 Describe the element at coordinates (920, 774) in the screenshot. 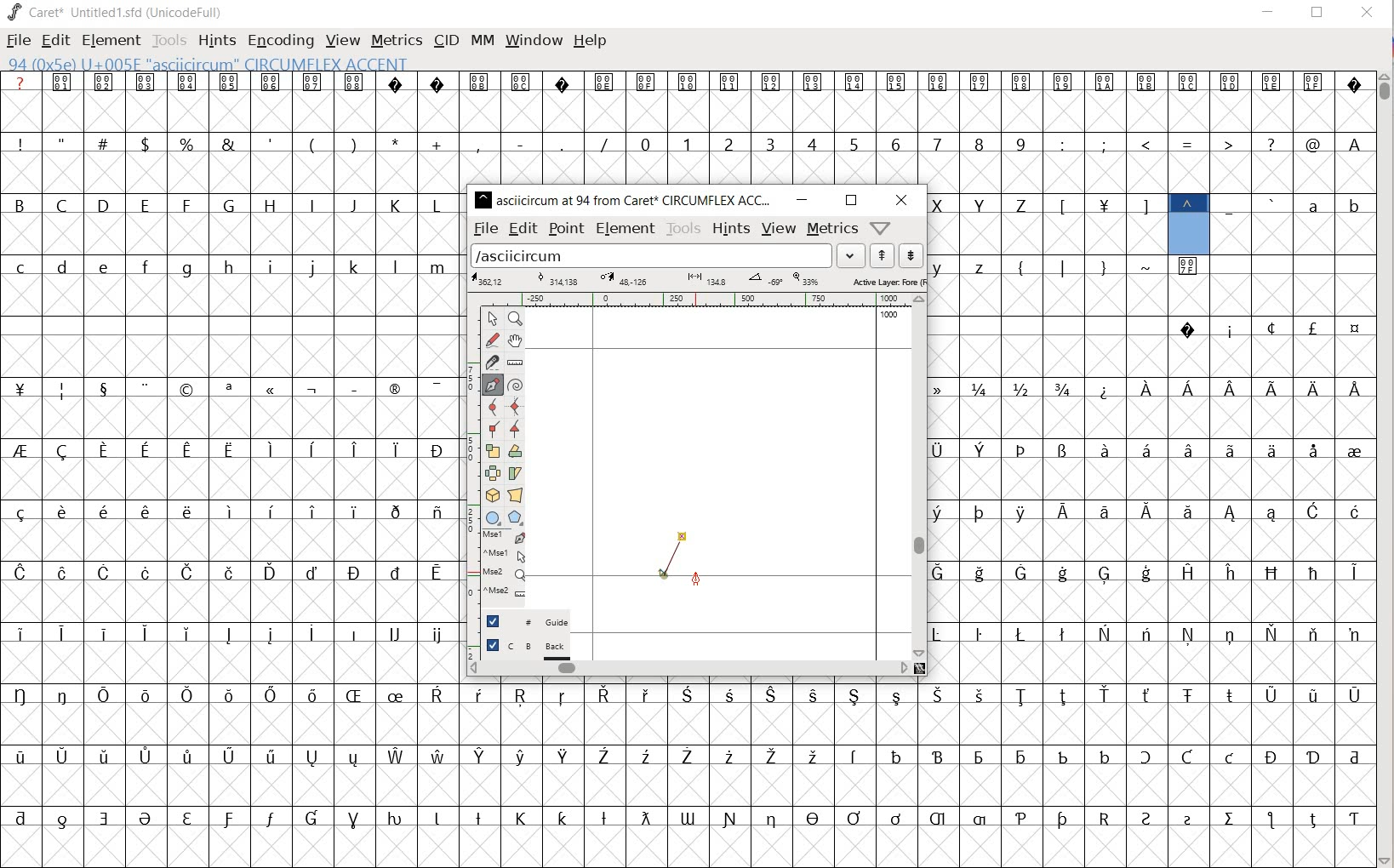

I see `glyph characters` at that location.